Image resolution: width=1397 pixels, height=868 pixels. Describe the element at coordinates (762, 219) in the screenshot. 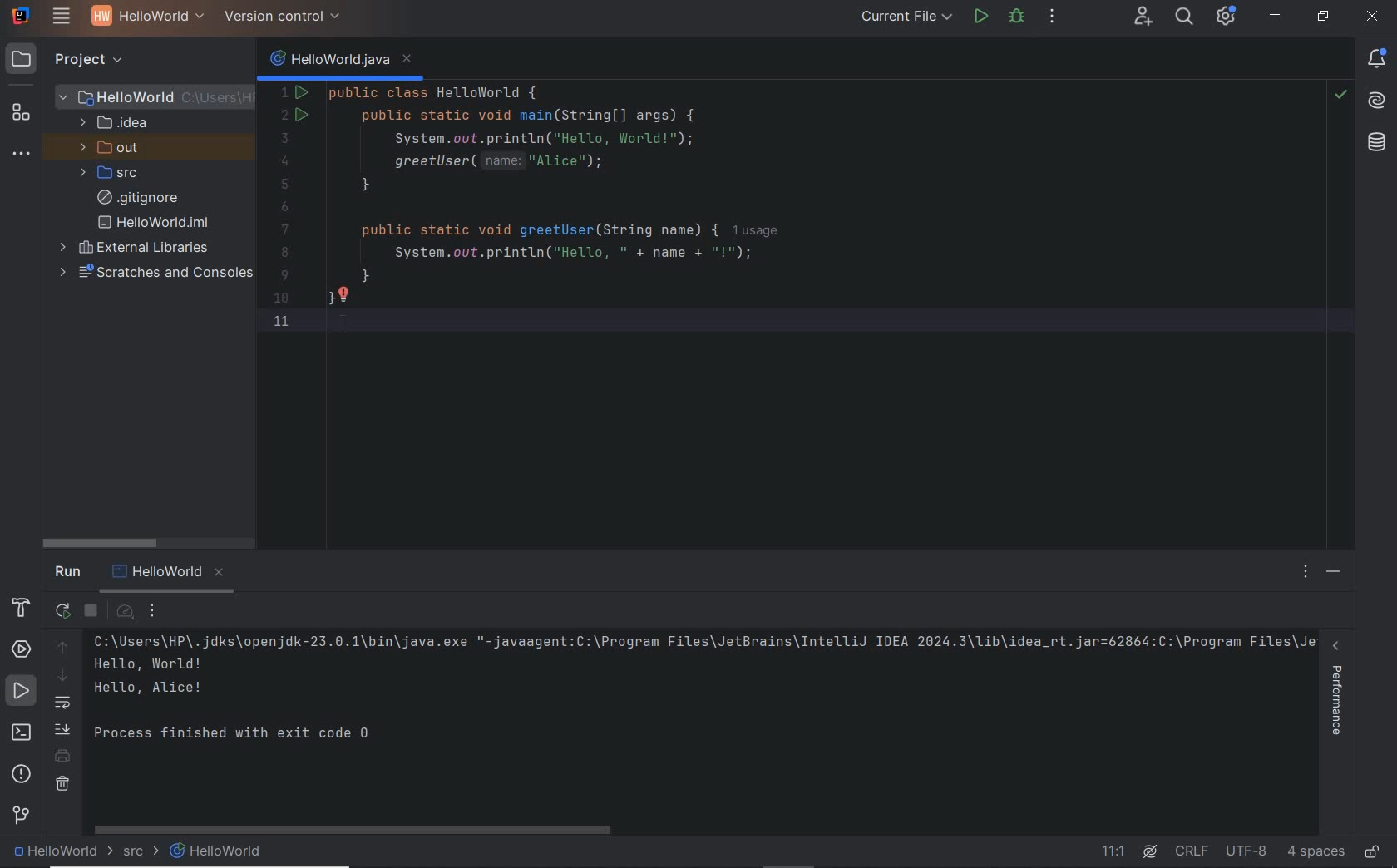

I see `This java code defines a HelloWorld class with a main method that prints "Hello,World!" and attempts to call a greetUser method with "Alice".` at that location.